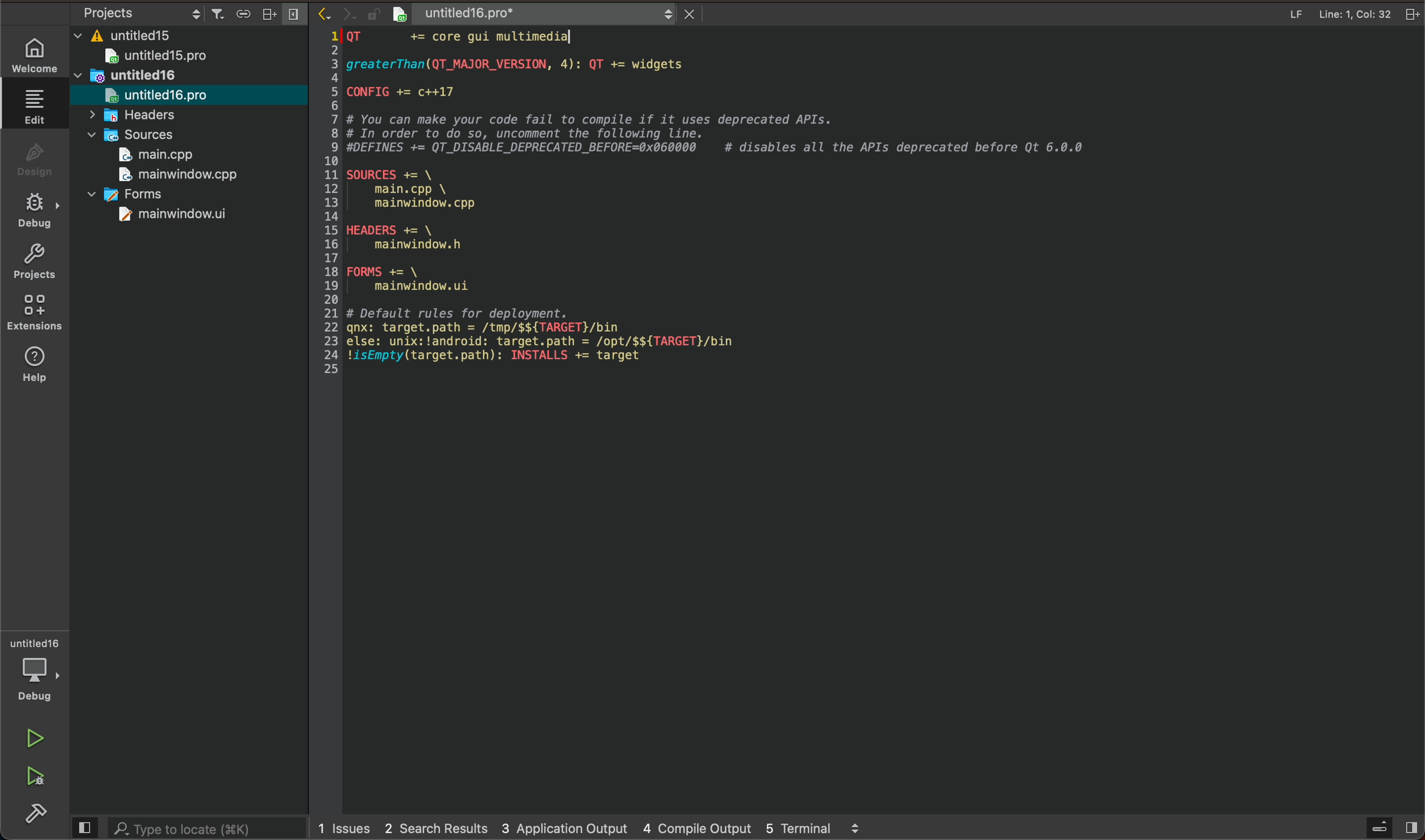  What do you see at coordinates (508, 12) in the screenshot?
I see `file name` at bounding box center [508, 12].